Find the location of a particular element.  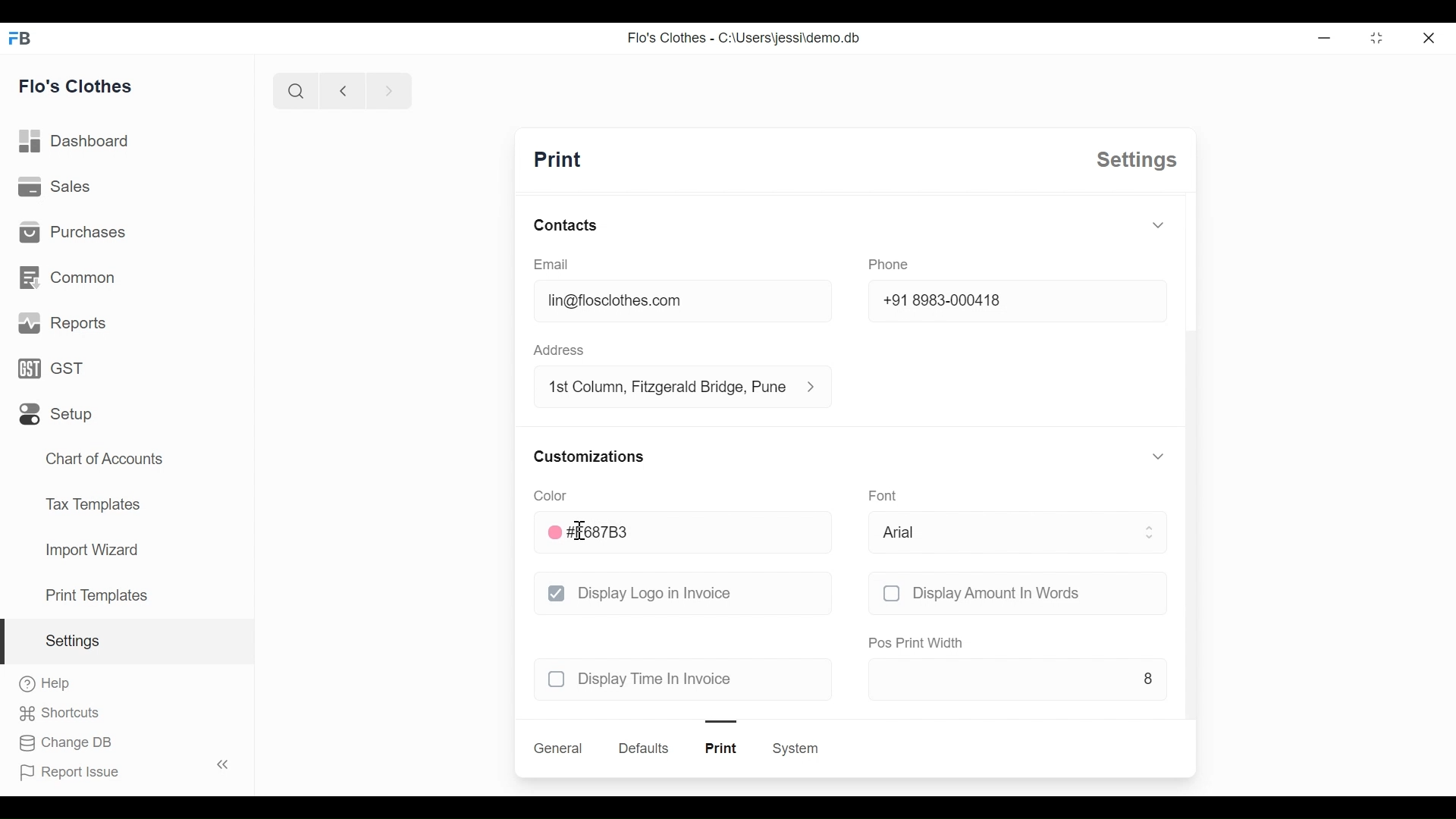

toggle sidebar is located at coordinates (224, 764).